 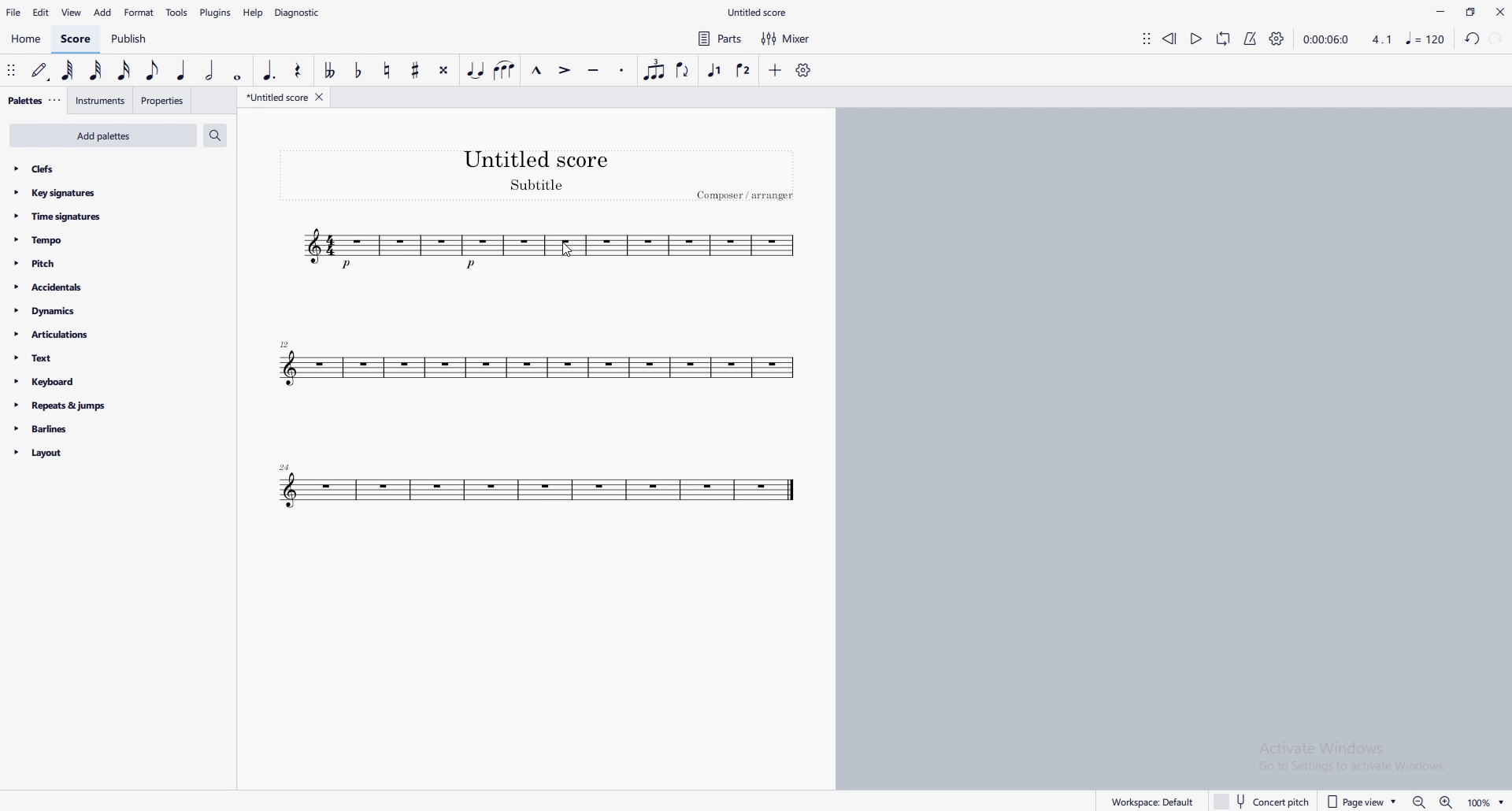 I want to click on score, so click(x=75, y=39).